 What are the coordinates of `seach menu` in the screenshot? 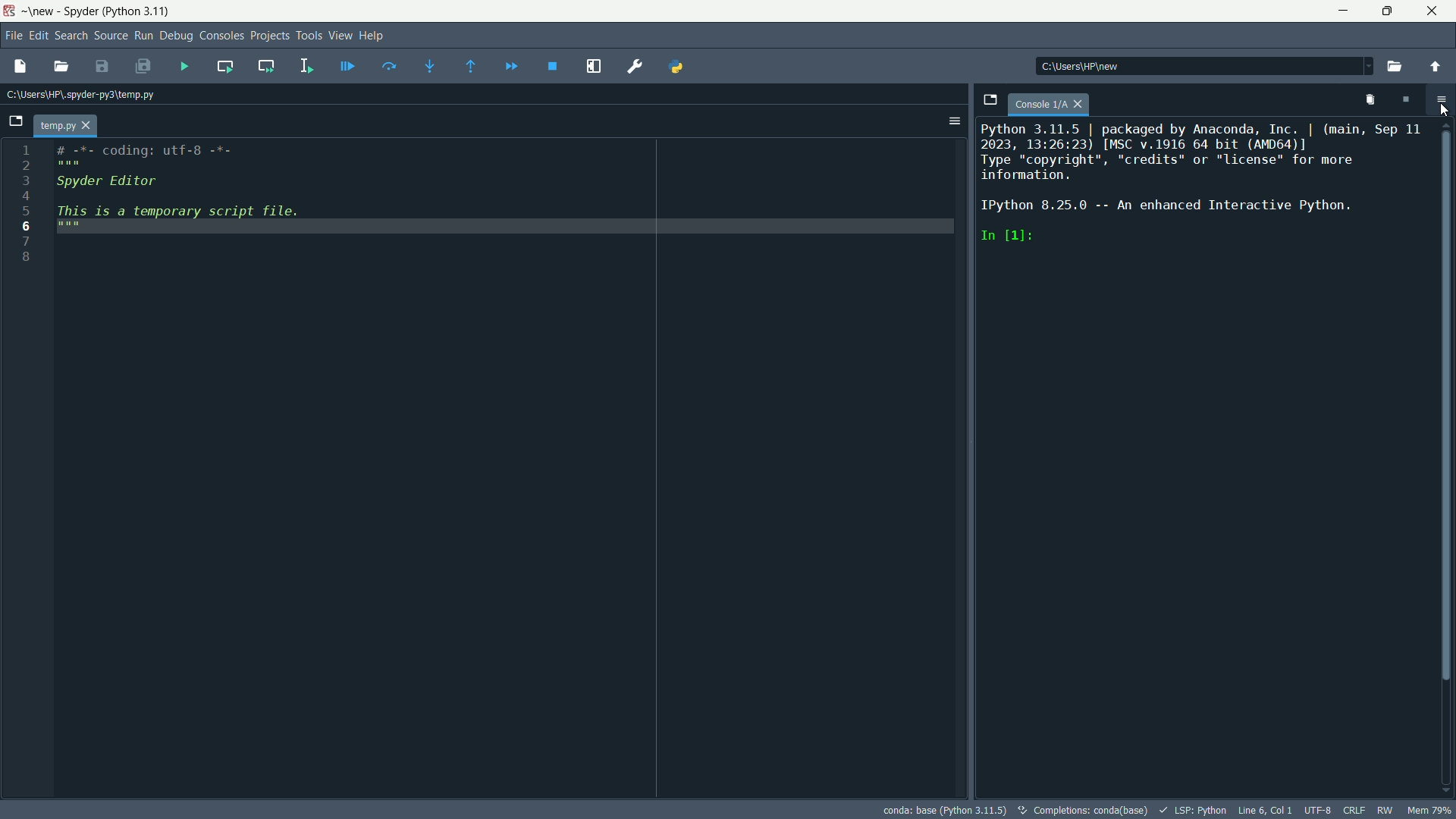 It's located at (70, 33).